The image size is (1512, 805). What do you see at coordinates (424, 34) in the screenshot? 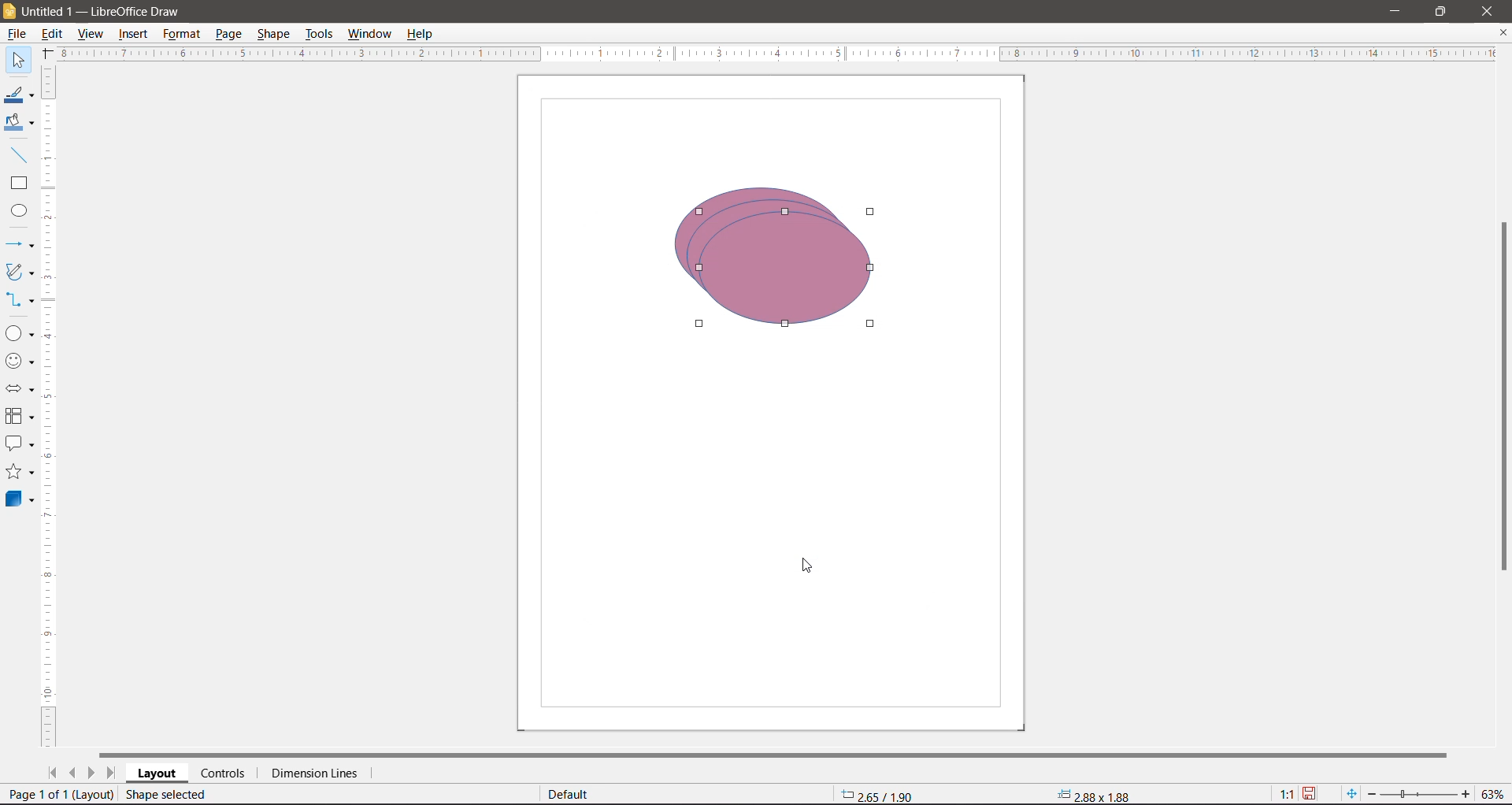
I see `Help` at bounding box center [424, 34].